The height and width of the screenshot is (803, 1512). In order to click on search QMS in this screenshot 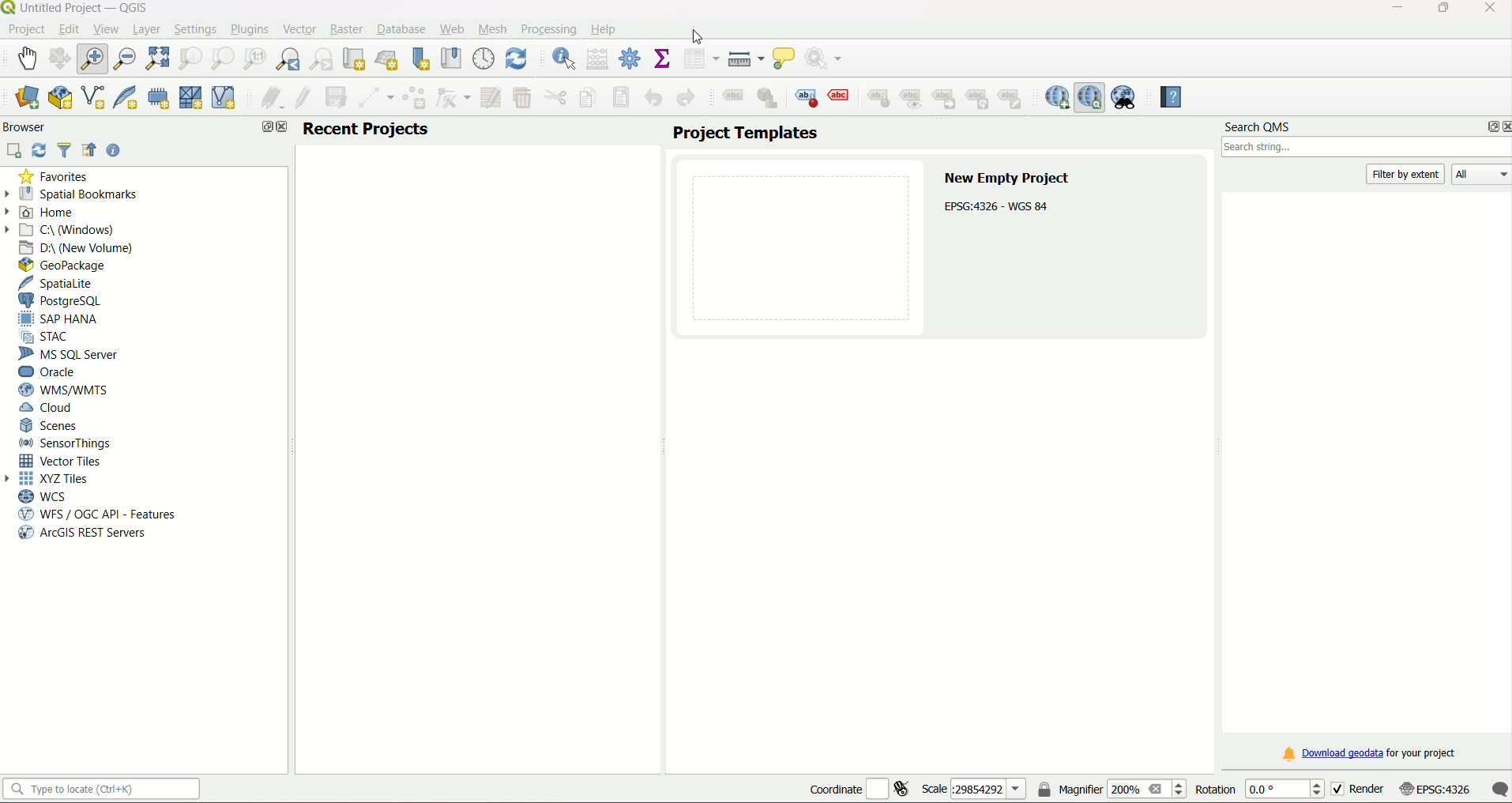, I will do `click(1090, 97)`.